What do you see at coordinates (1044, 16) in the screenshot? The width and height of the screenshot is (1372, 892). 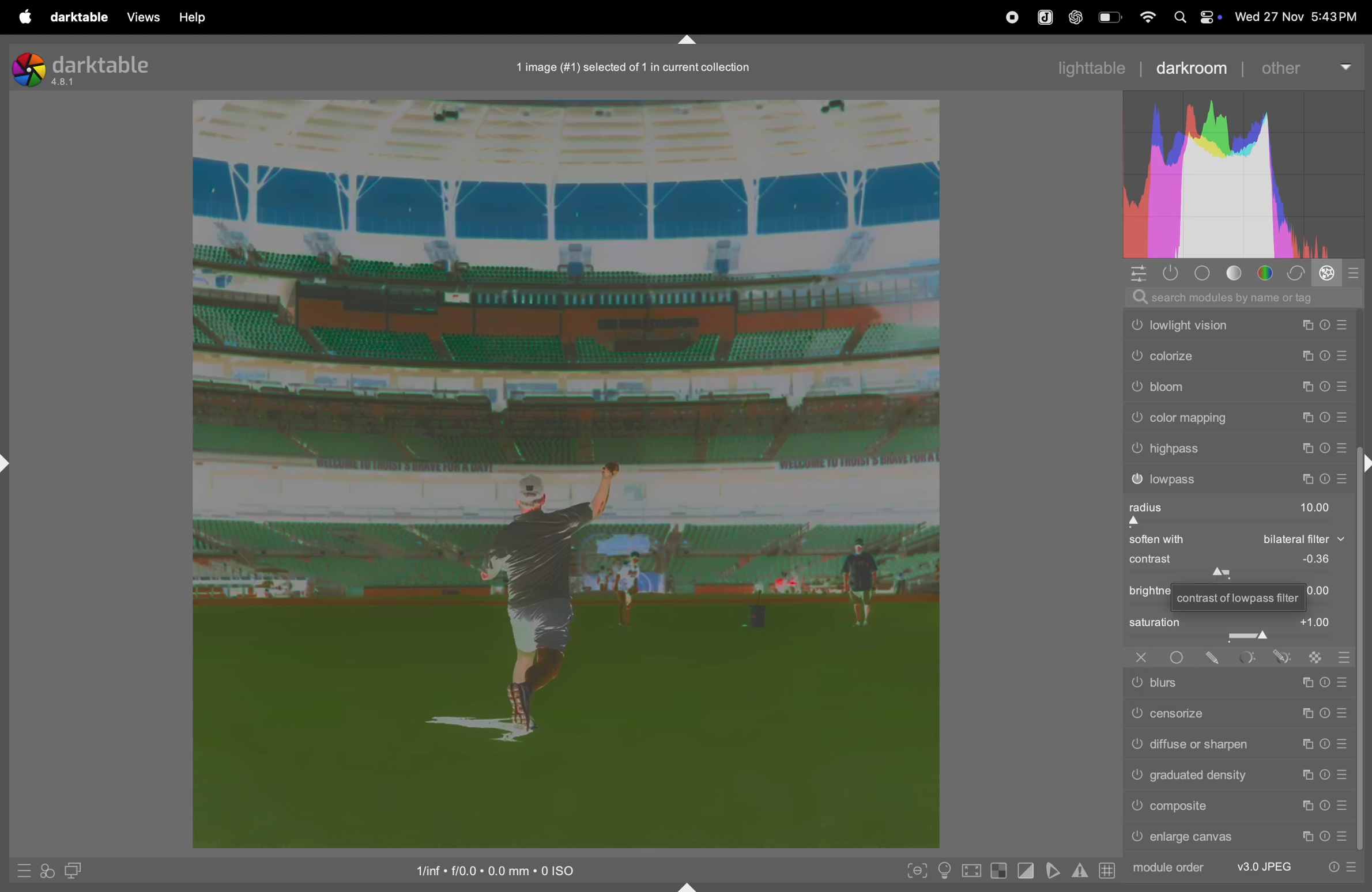 I see `joplin` at bounding box center [1044, 16].